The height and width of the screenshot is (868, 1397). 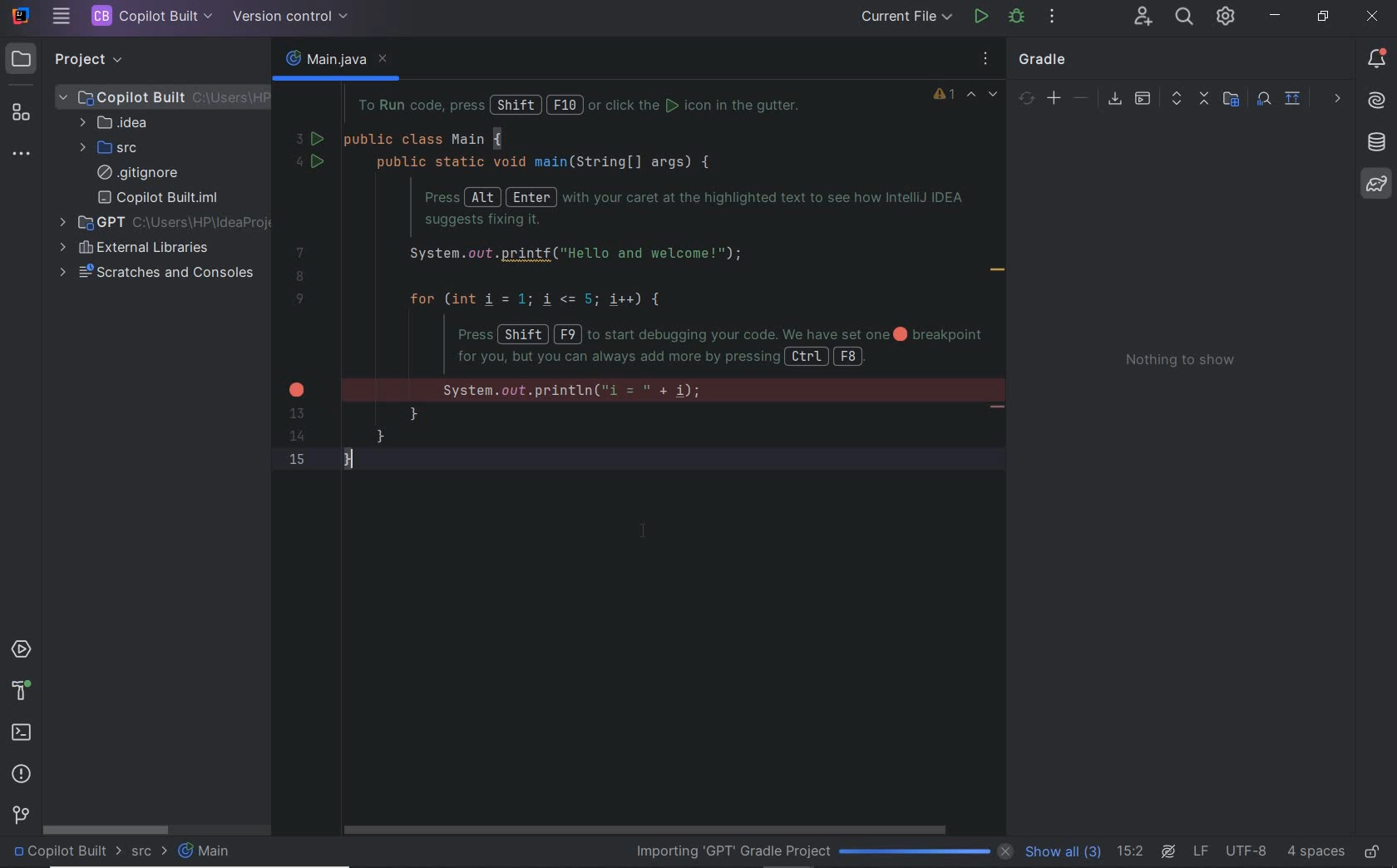 I want to click on expand all, so click(x=1177, y=100).